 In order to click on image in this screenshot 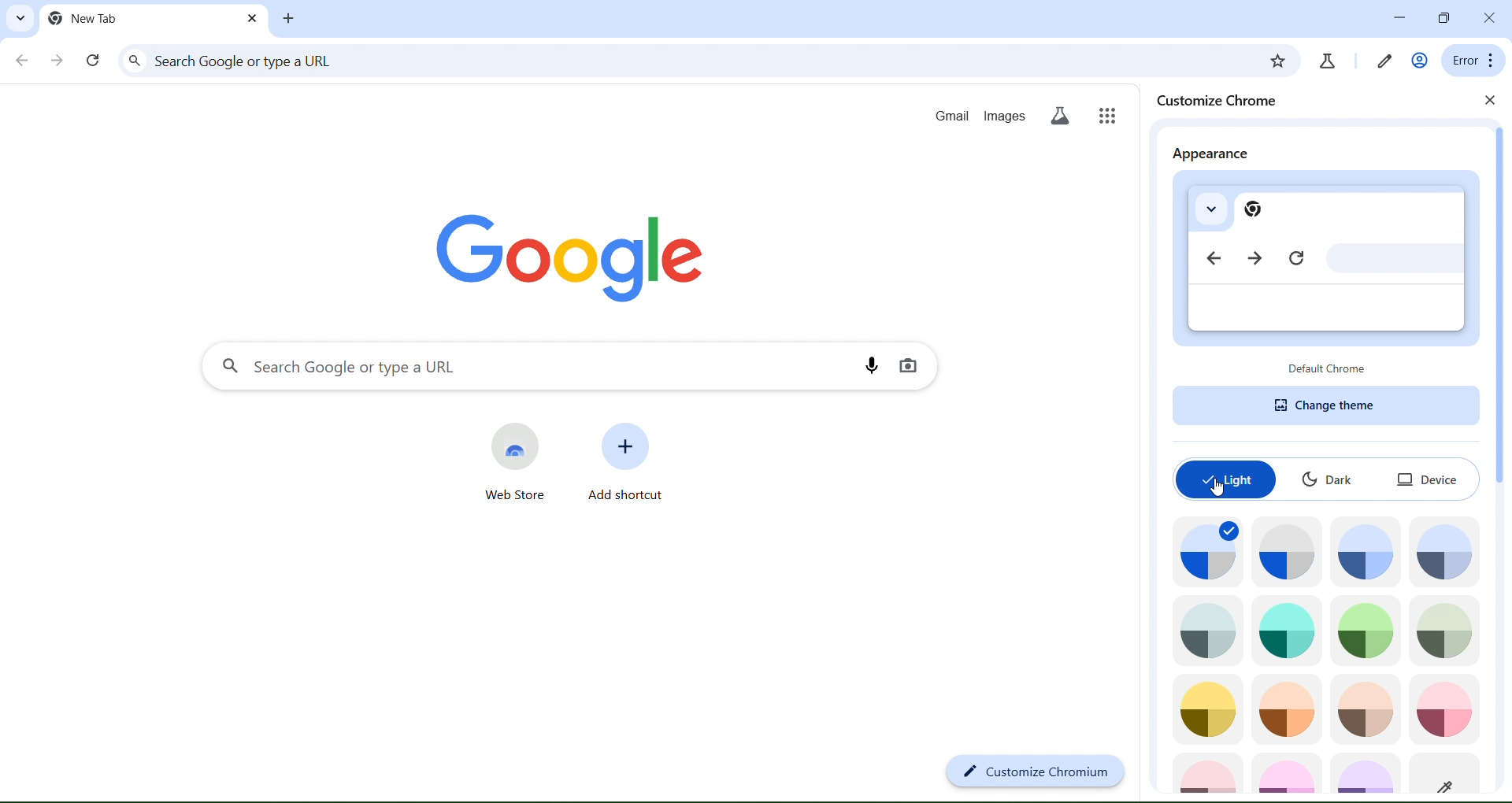, I will do `click(1445, 631)`.